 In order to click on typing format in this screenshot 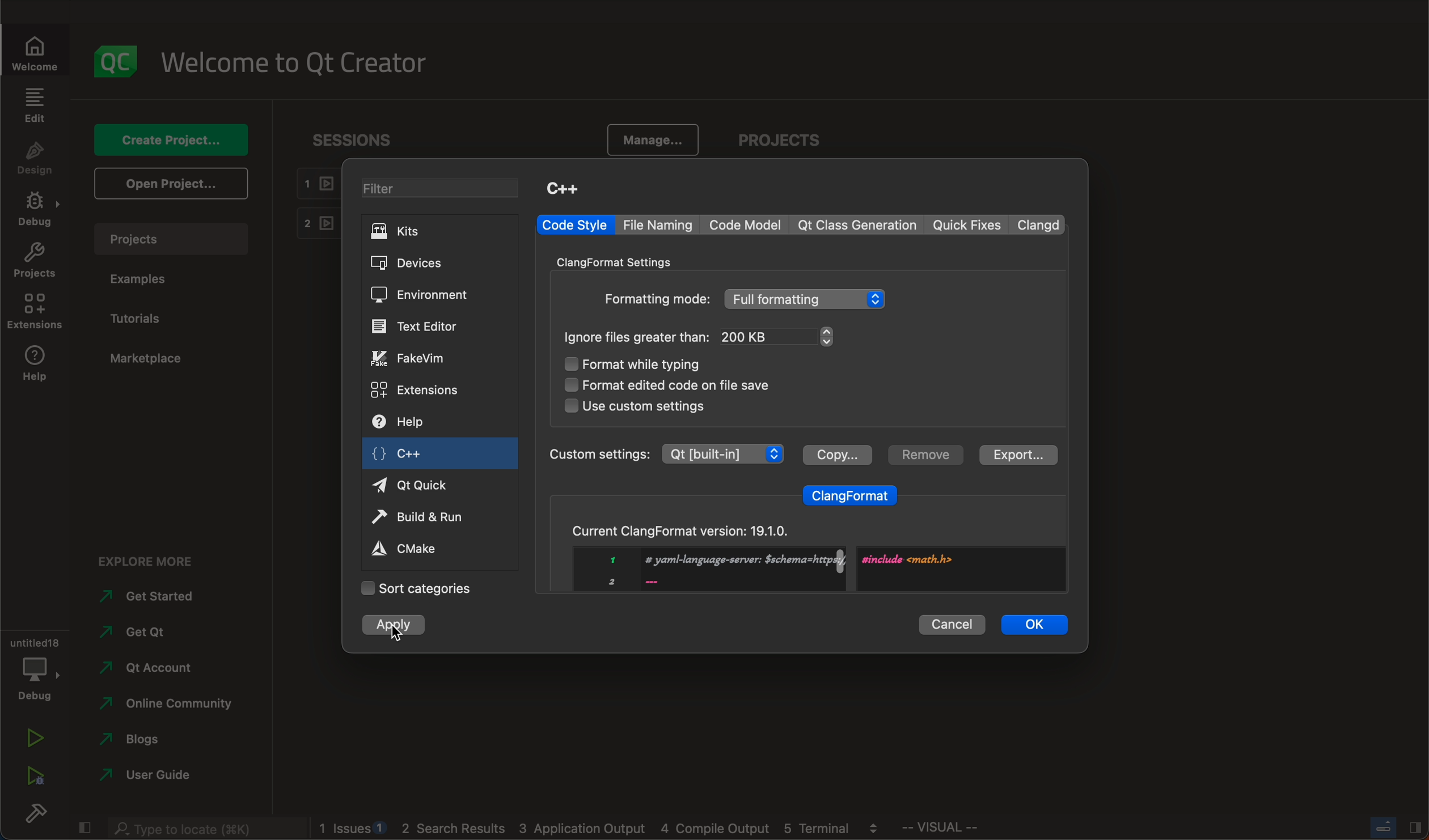, I will do `click(650, 365)`.